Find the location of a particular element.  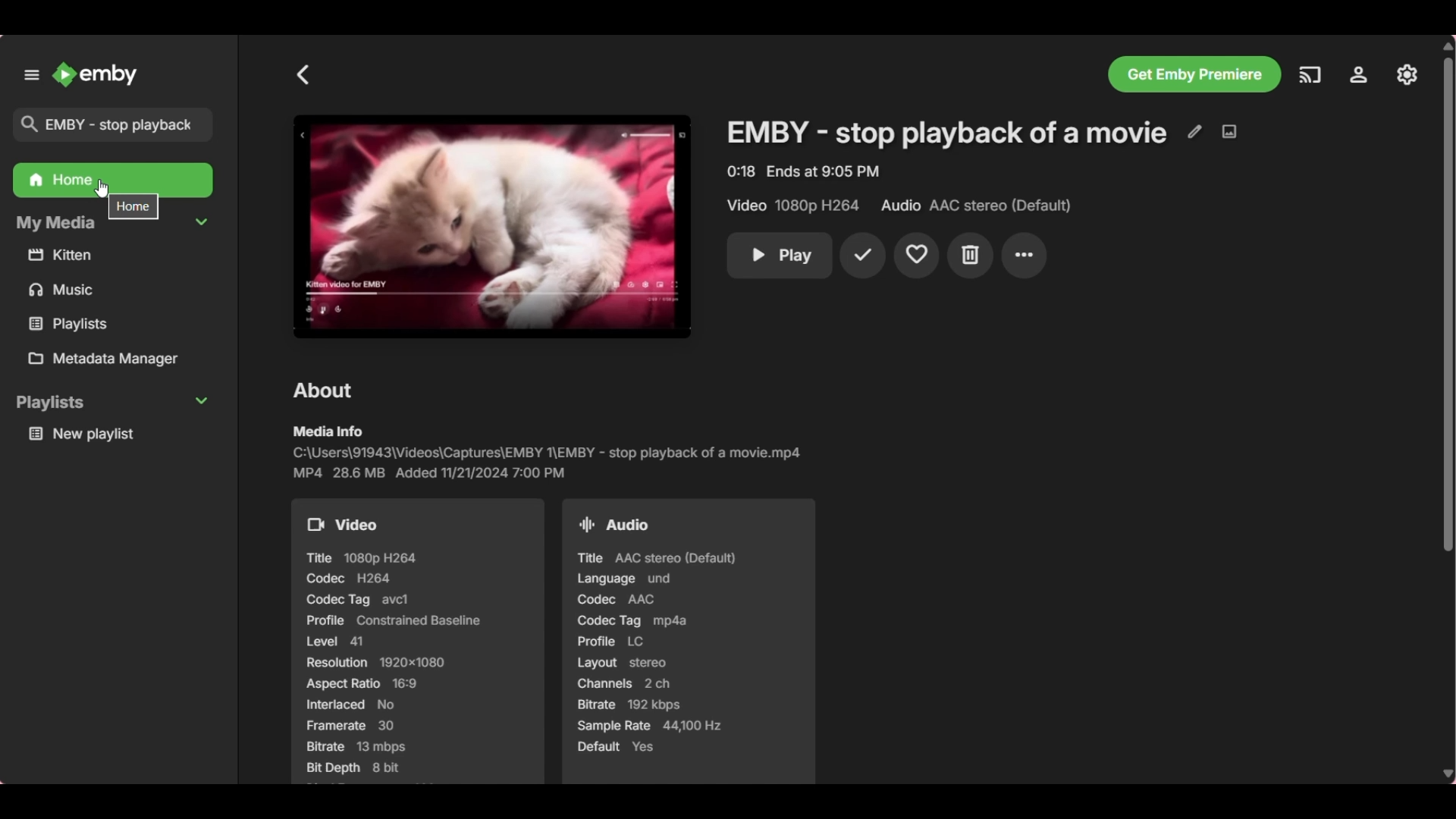

kitten is located at coordinates (115, 256).